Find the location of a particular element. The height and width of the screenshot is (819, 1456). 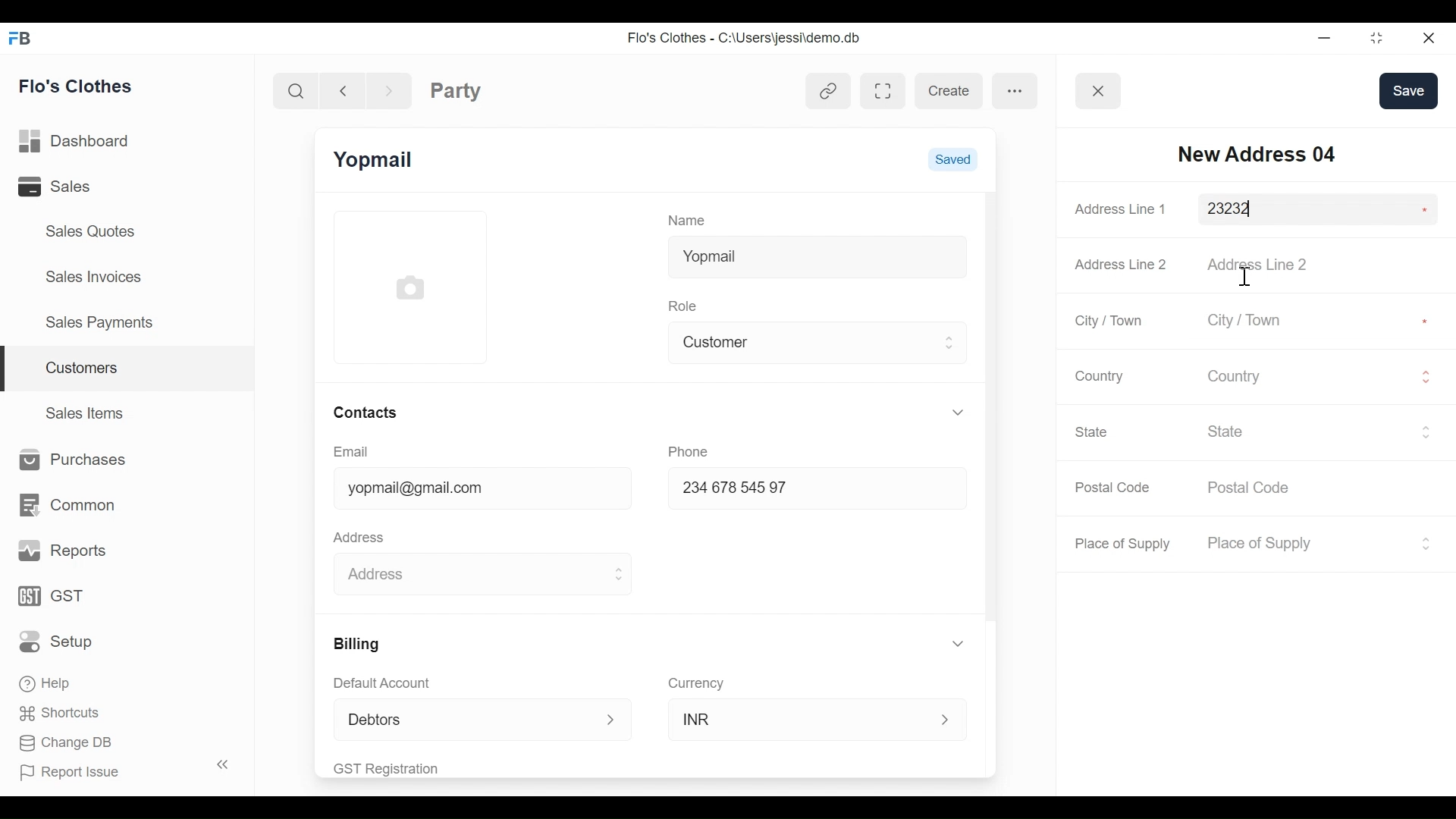

Sales Quotes is located at coordinates (92, 231).